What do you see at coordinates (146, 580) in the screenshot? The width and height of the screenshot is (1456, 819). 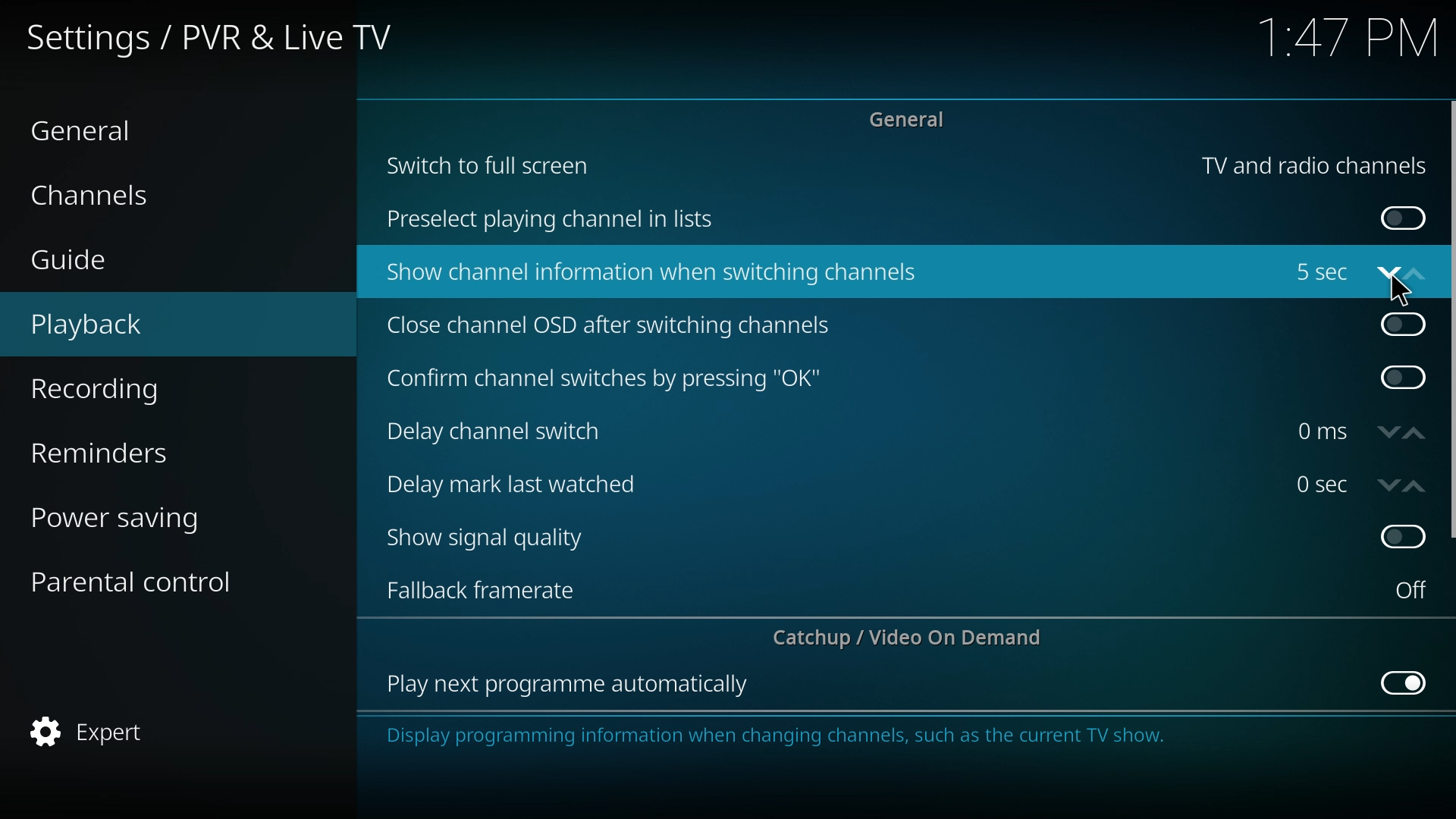 I see `parental control` at bounding box center [146, 580].